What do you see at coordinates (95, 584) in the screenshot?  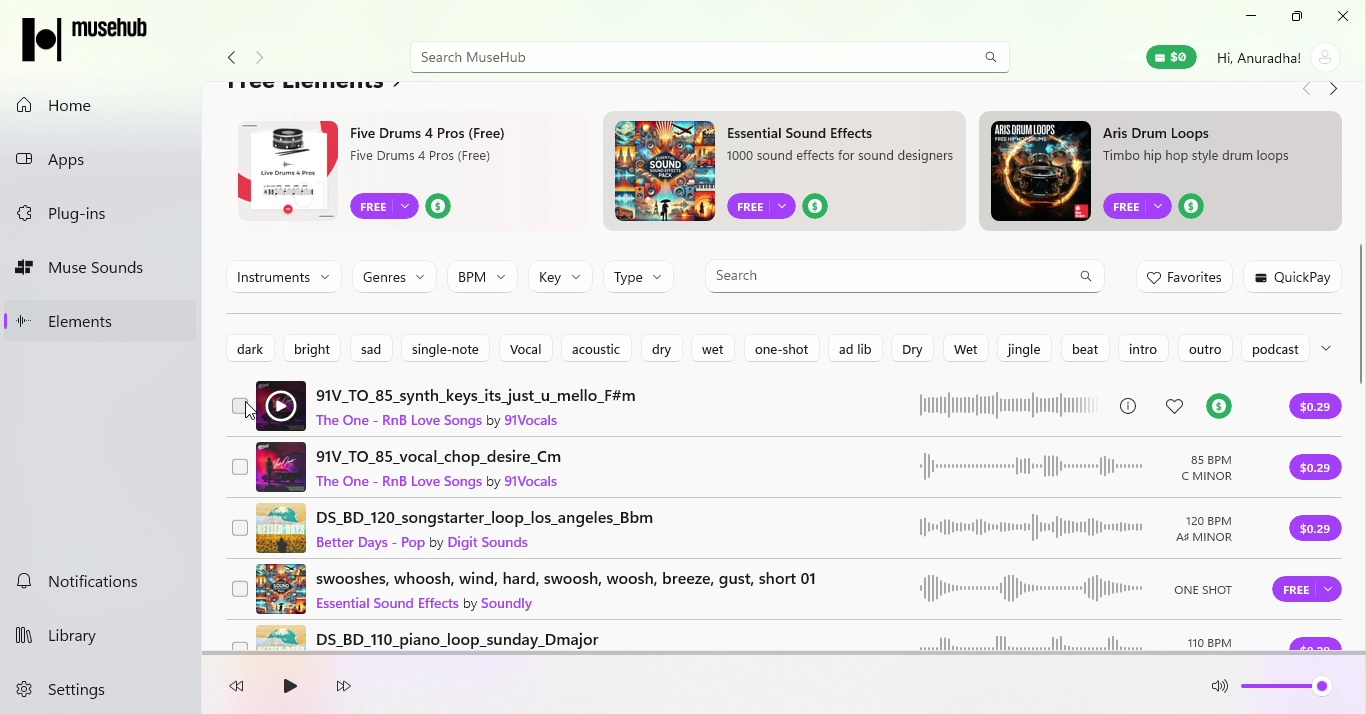 I see `Notifications` at bounding box center [95, 584].